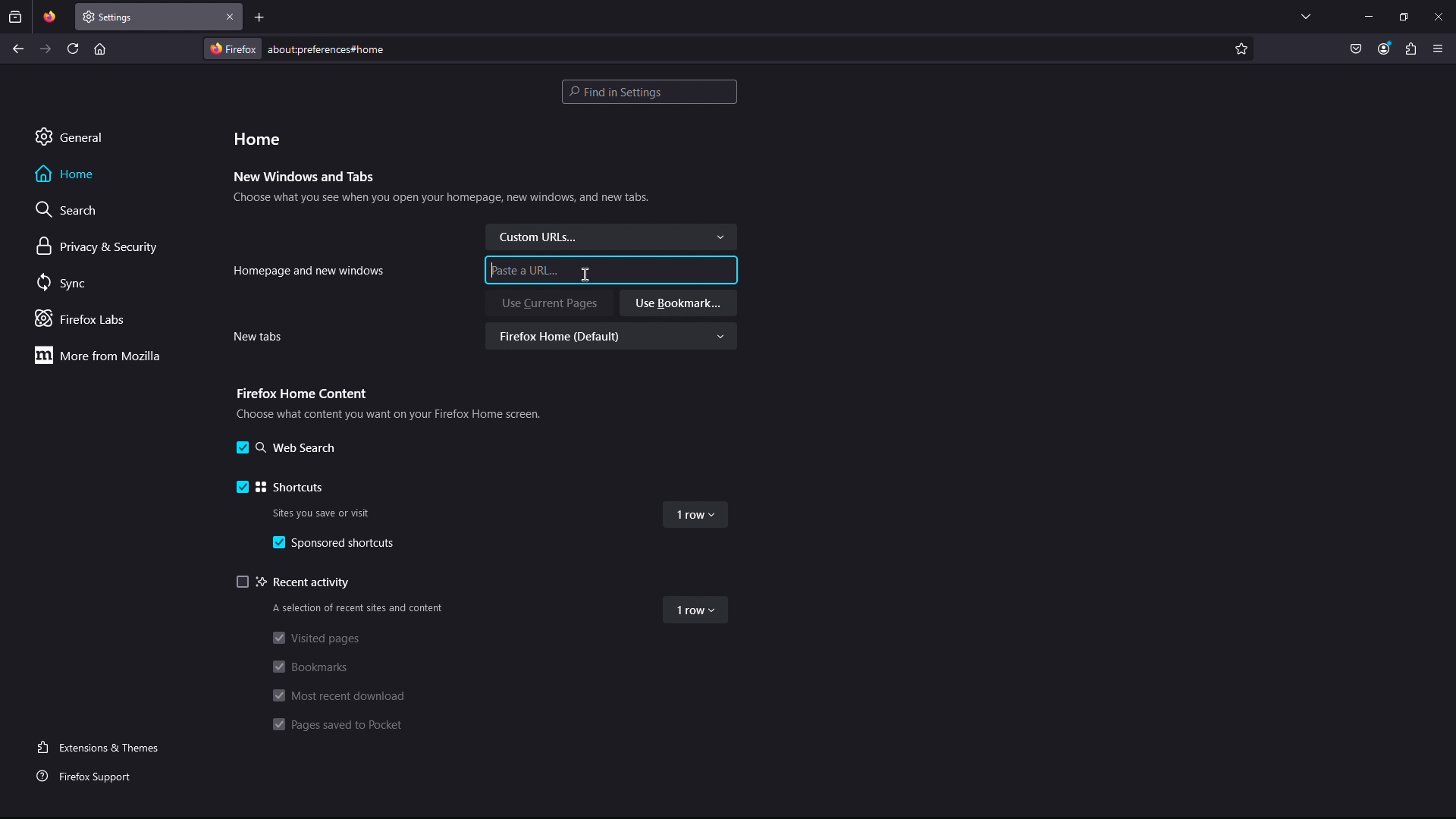  I want to click on Sync, so click(65, 284).